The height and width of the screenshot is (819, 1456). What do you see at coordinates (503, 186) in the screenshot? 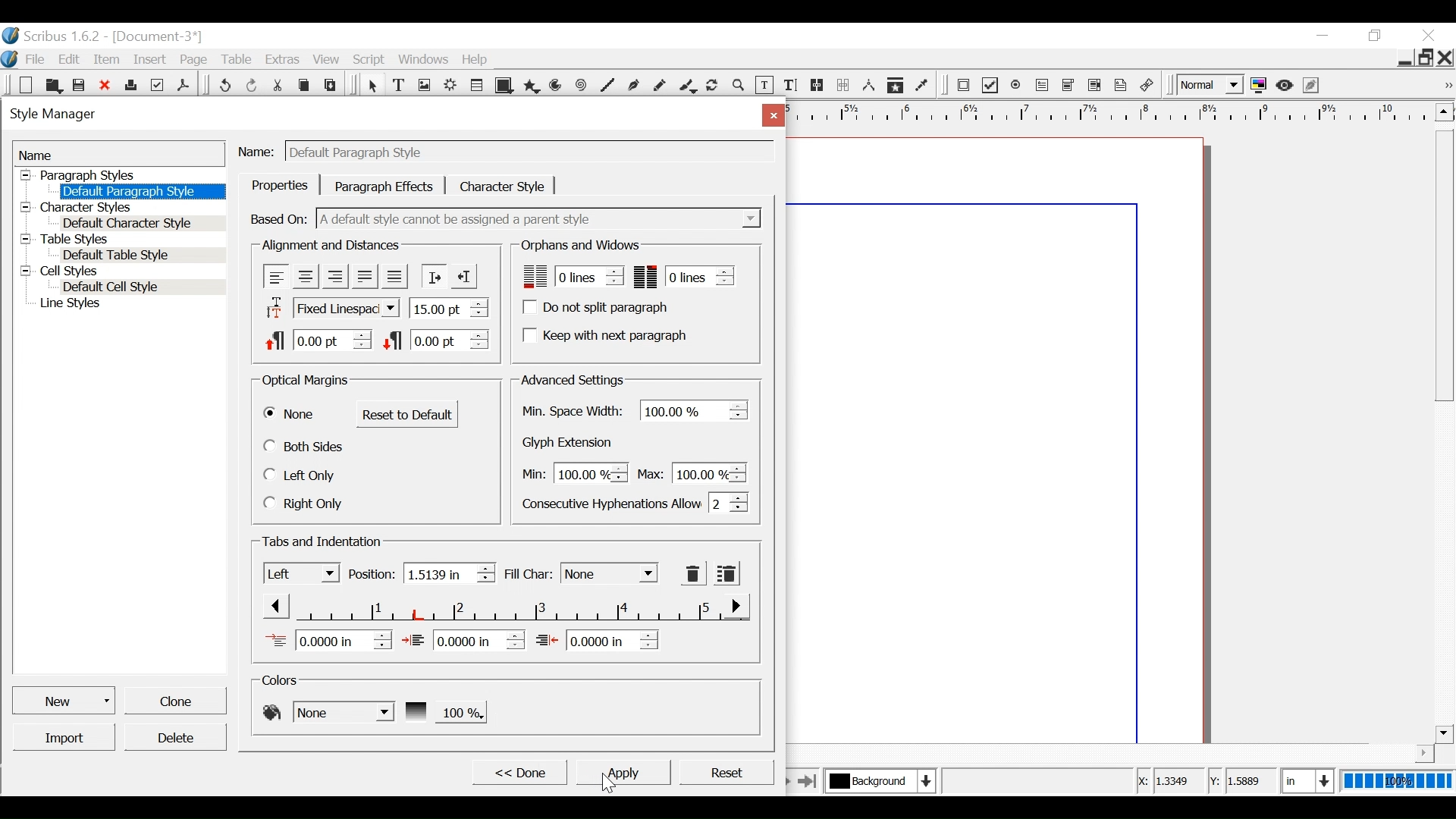
I see `Character Style` at bounding box center [503, 186].